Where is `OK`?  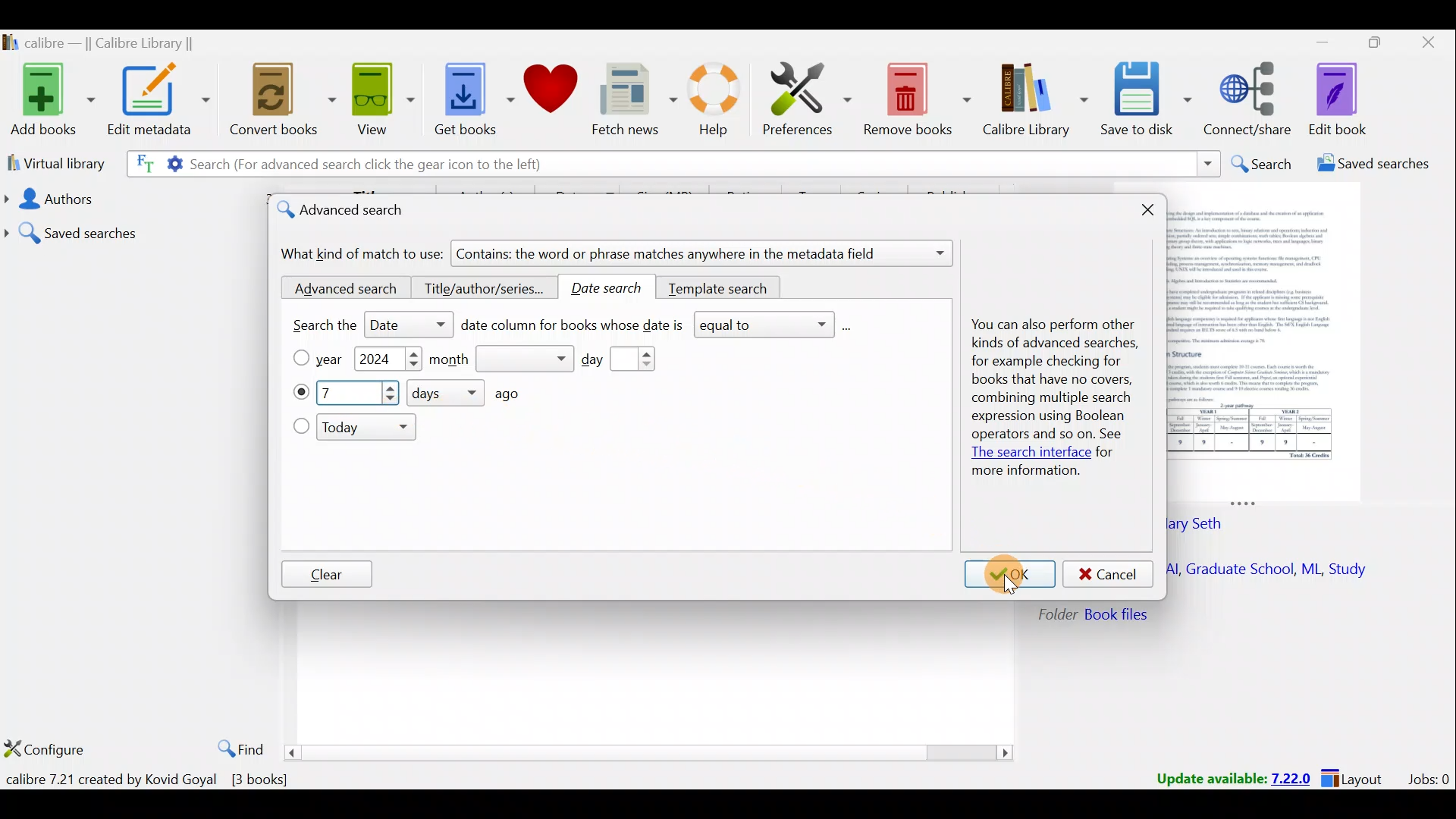 OK is located at coordinates (1010, 575).